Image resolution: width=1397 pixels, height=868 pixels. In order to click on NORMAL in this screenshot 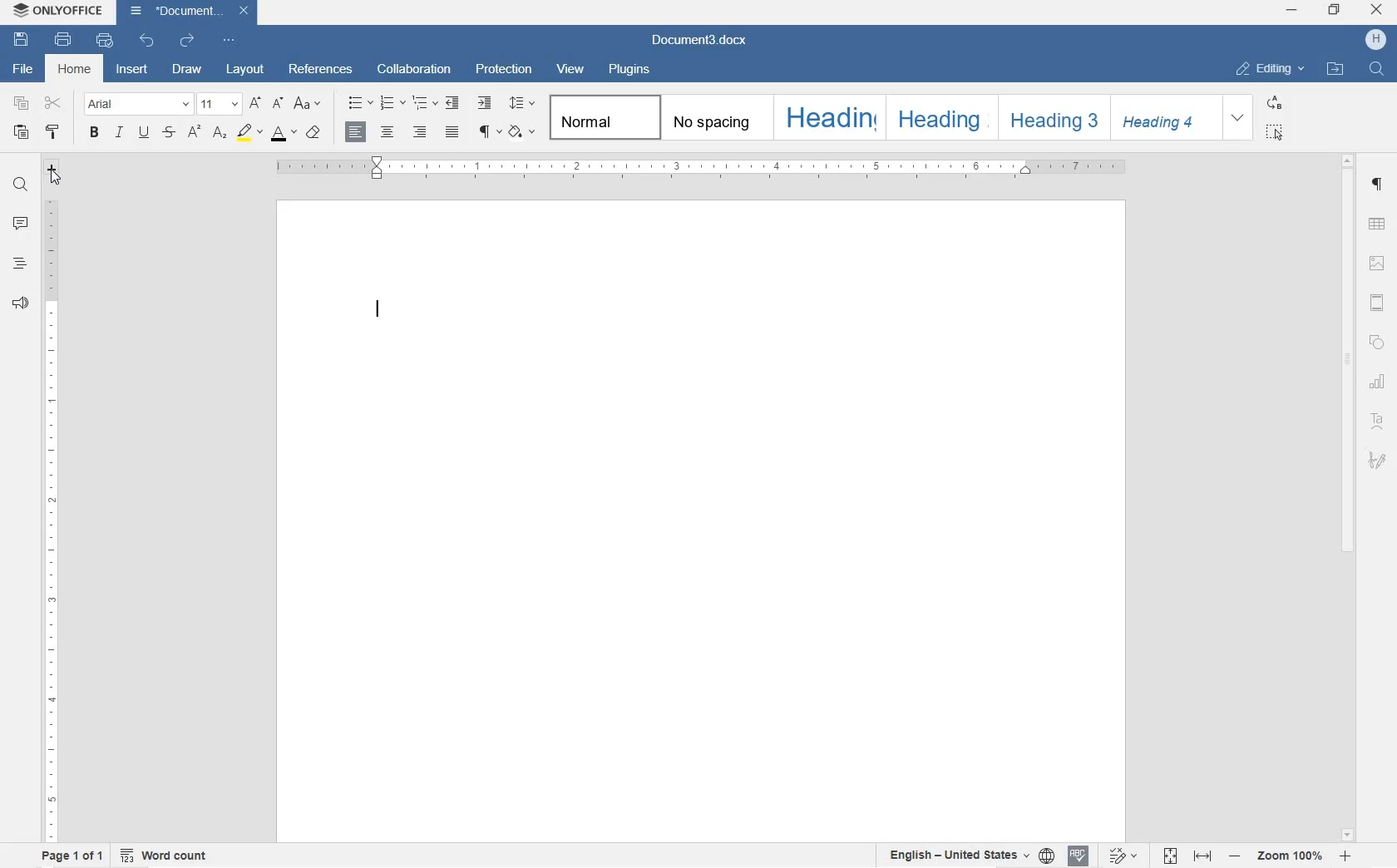, I will do `click(602, 118)`.